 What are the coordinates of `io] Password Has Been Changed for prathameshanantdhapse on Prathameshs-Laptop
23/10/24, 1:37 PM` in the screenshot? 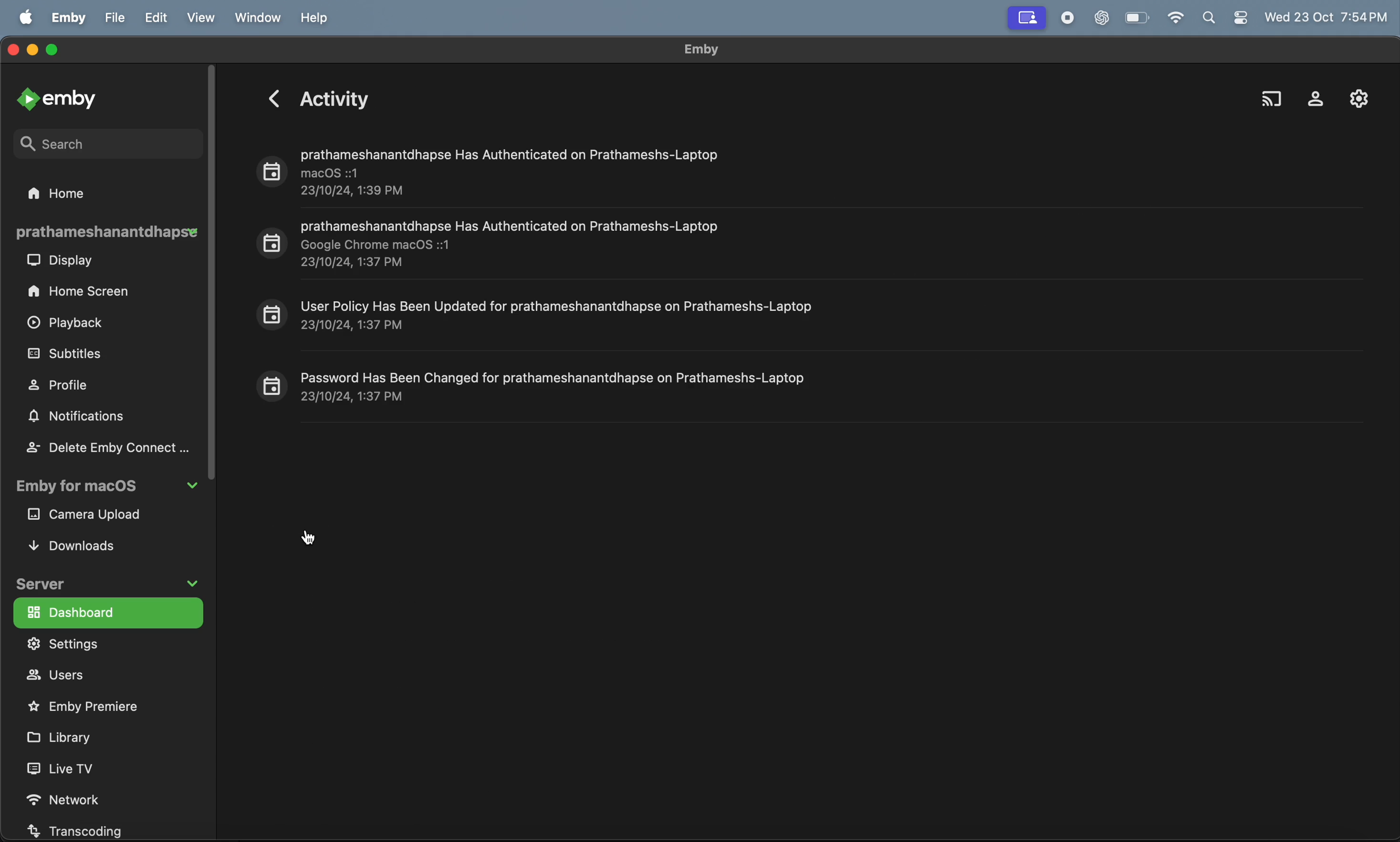 It's located at (534, 385).